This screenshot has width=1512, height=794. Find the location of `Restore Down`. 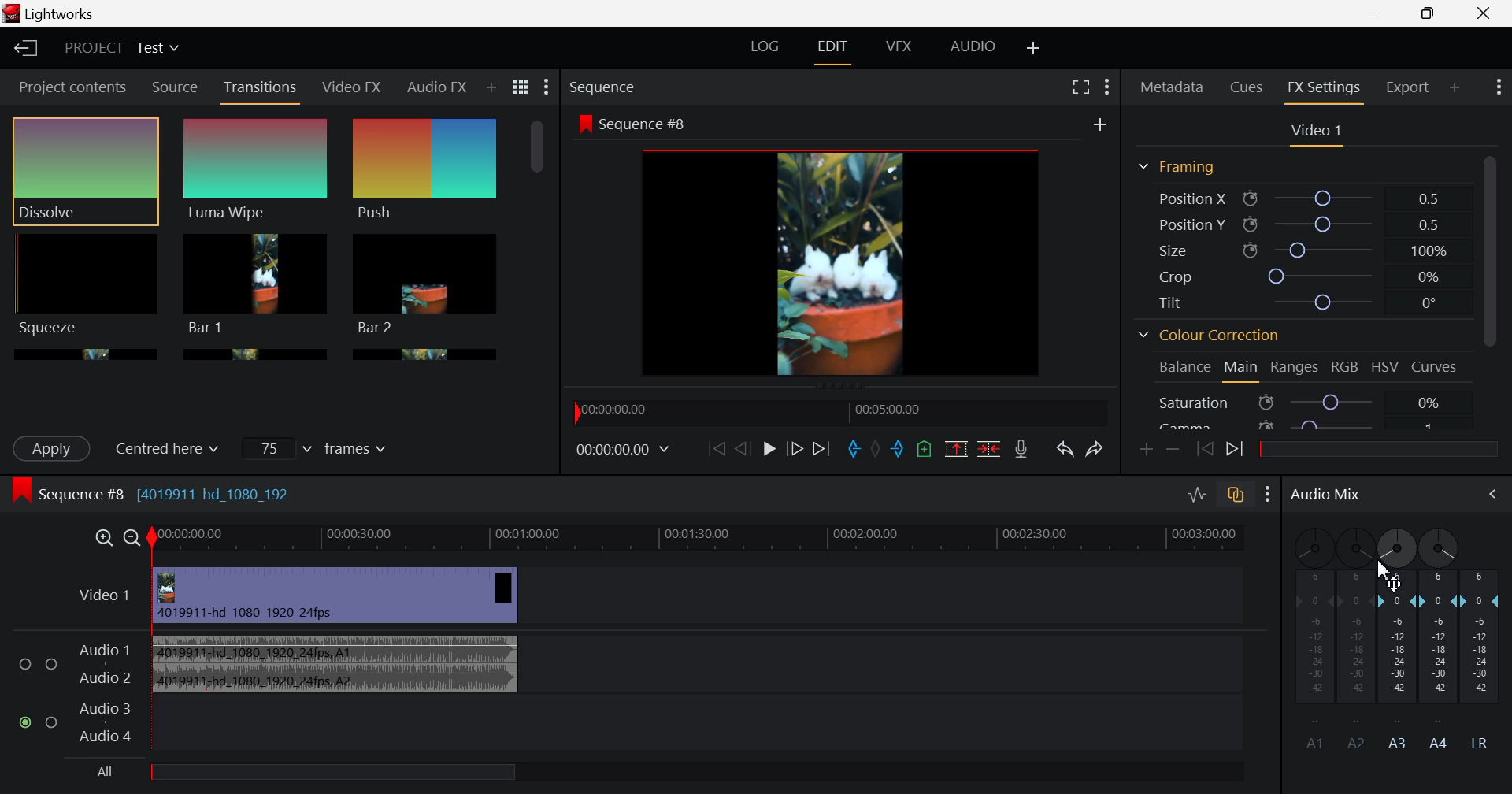

Restore Down is located at coordinates (1374, 14).